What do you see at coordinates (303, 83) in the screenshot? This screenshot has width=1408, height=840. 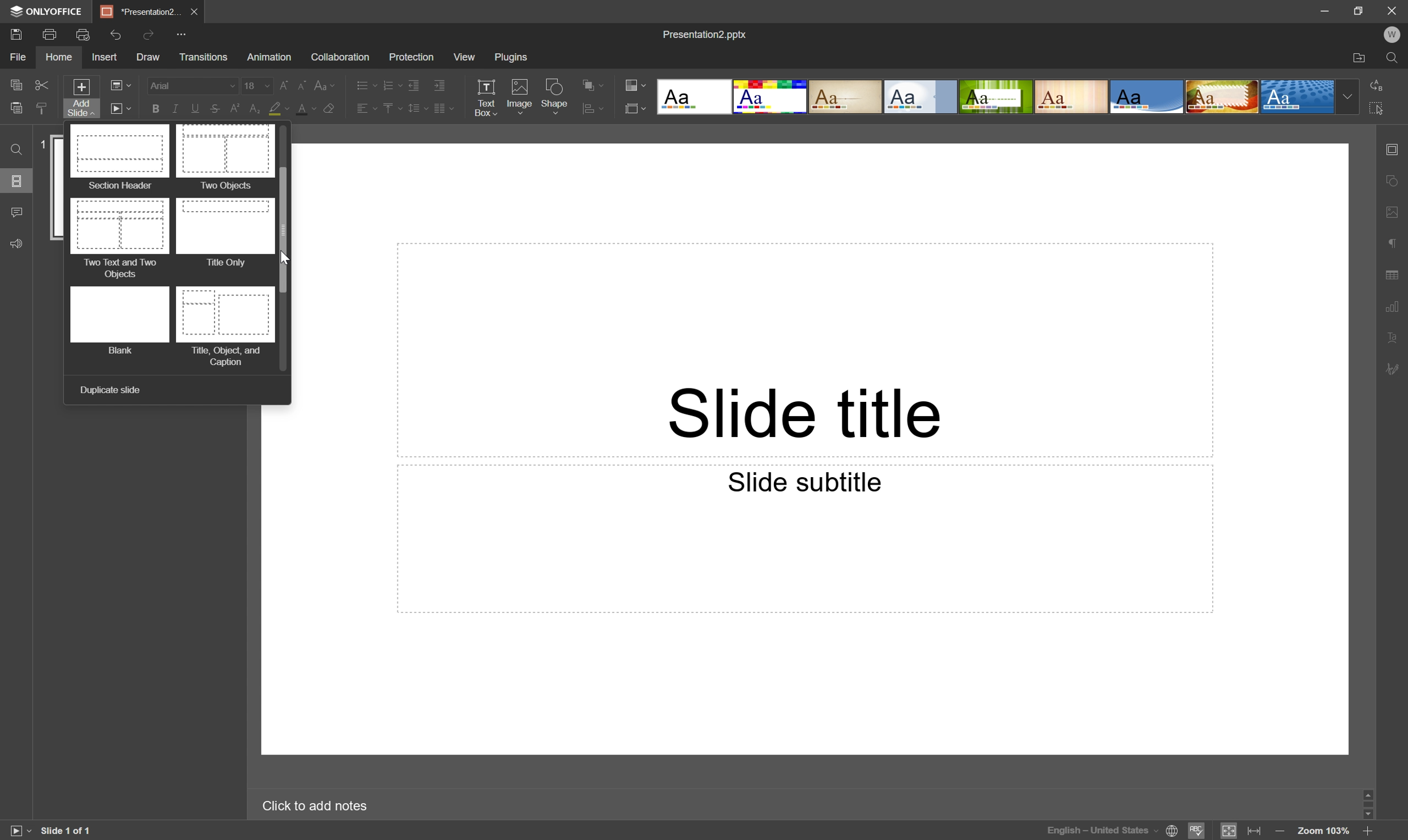 I see `Decrement font size` at bounding box center [303, 83].